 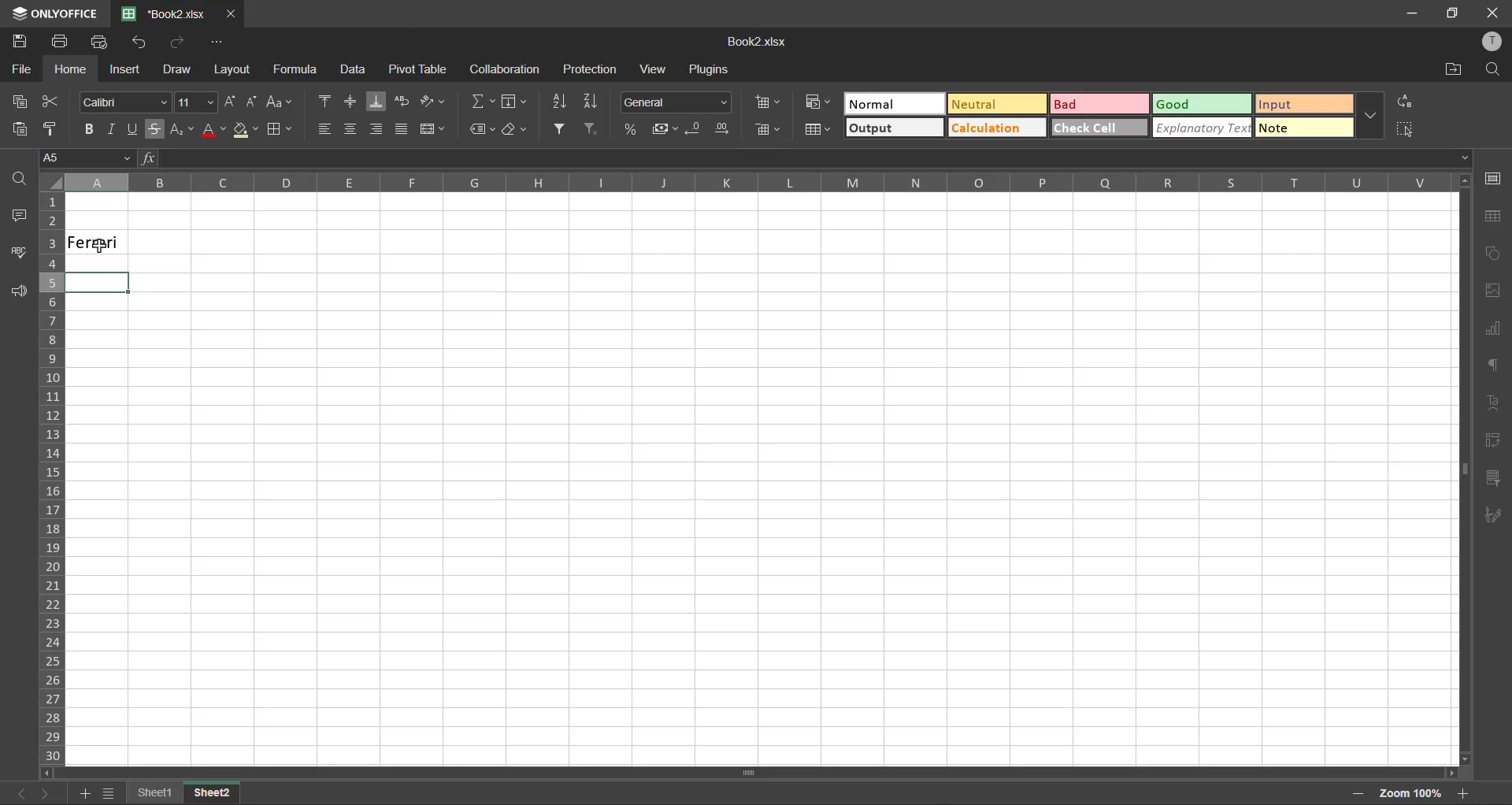 I want to click on Close , so click(x=1493, y=11).